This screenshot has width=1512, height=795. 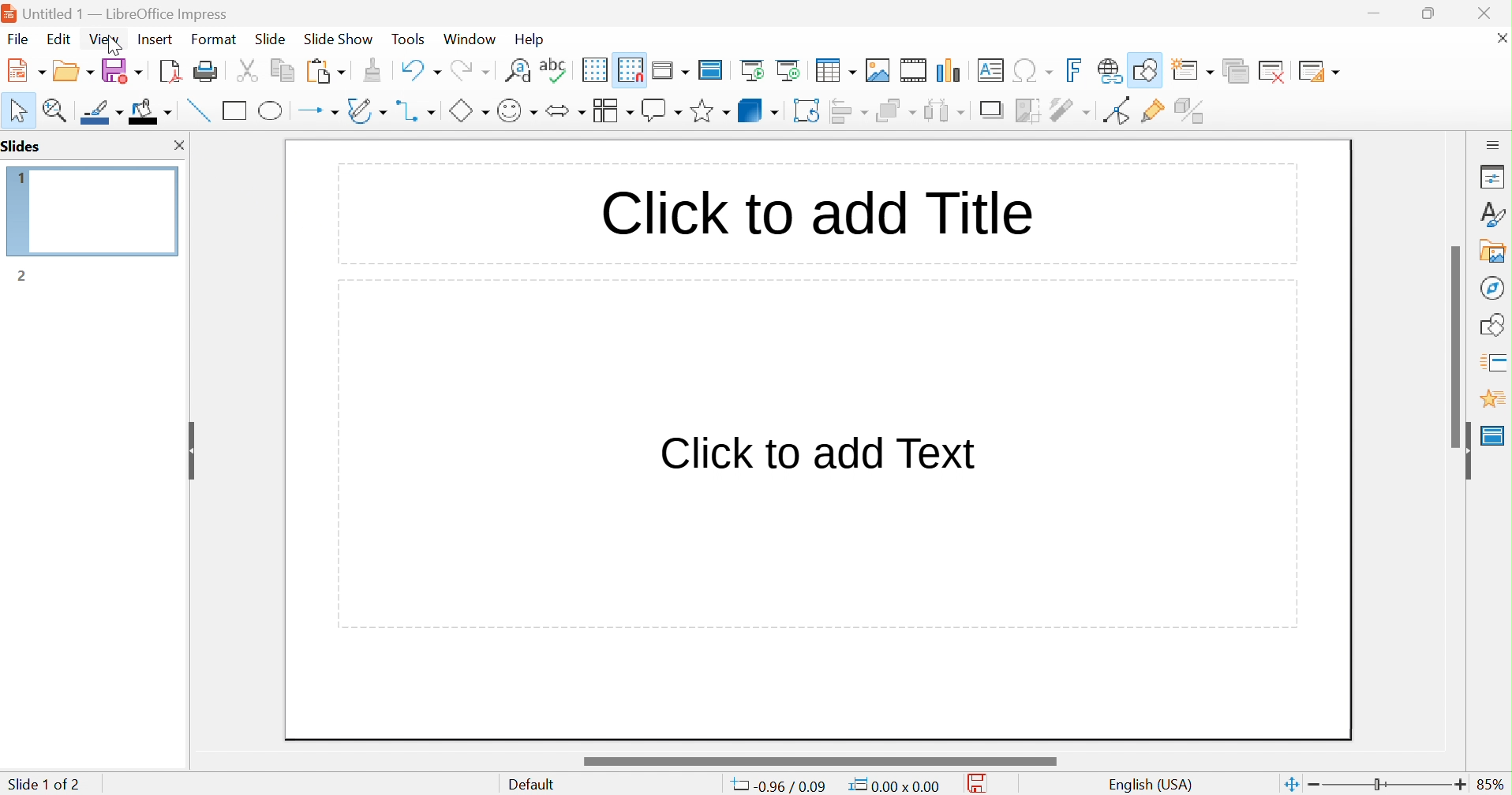 I want to click on copy, so click(x=283, y=68).